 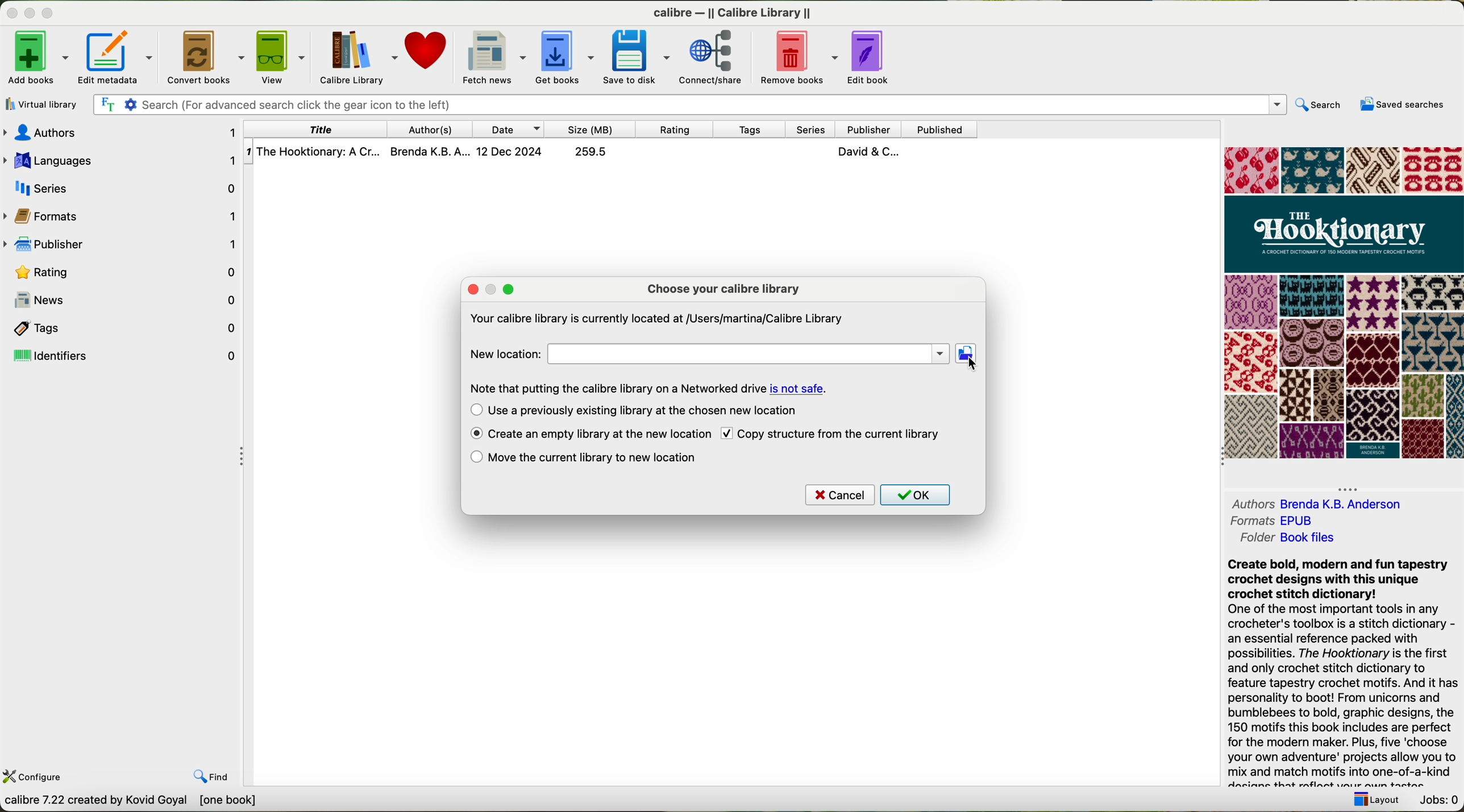 I want to click on use a previously existing library at the chosen location, so click(x=651, y=411).